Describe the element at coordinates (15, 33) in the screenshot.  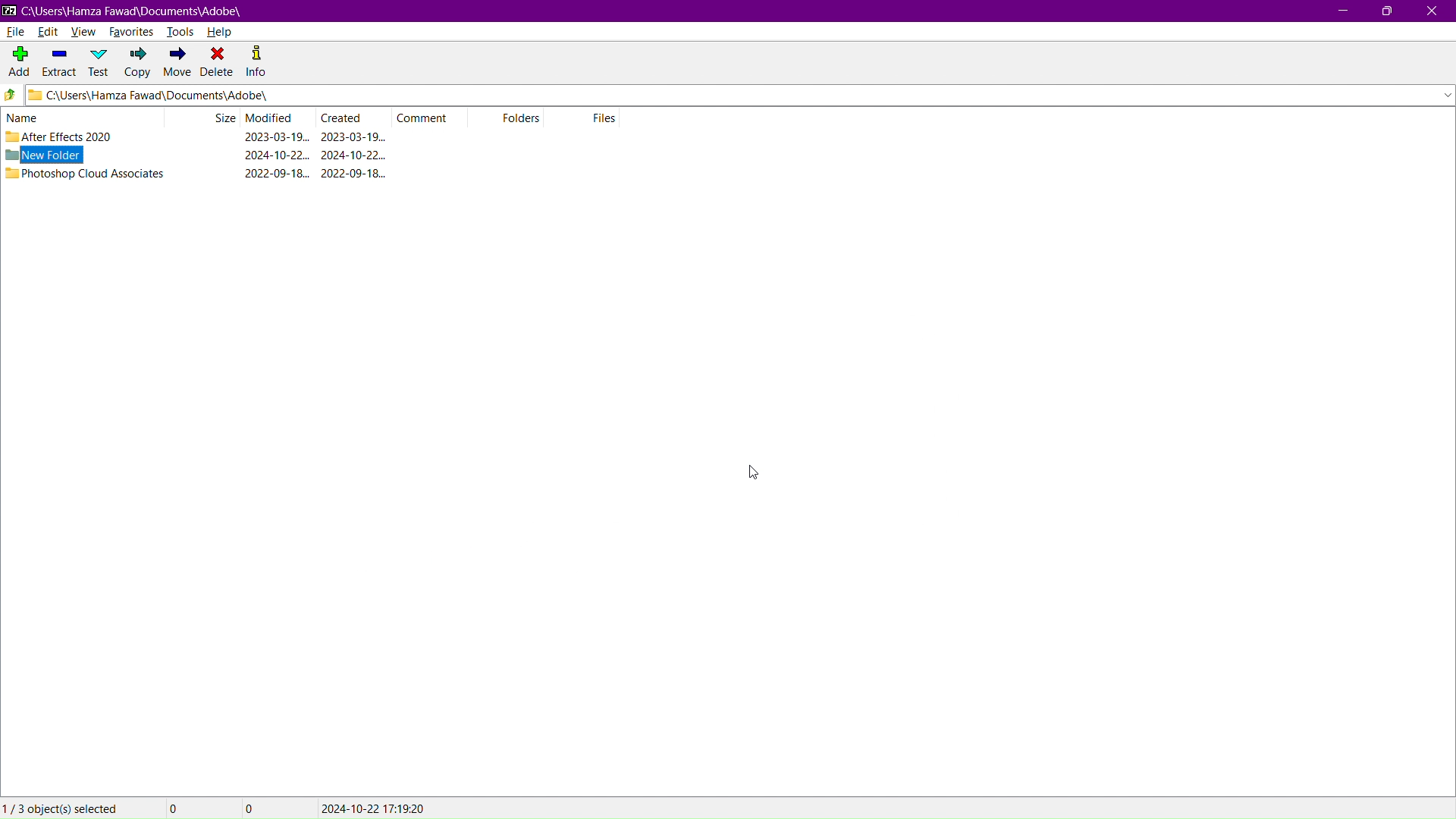
I see `File` at that location.